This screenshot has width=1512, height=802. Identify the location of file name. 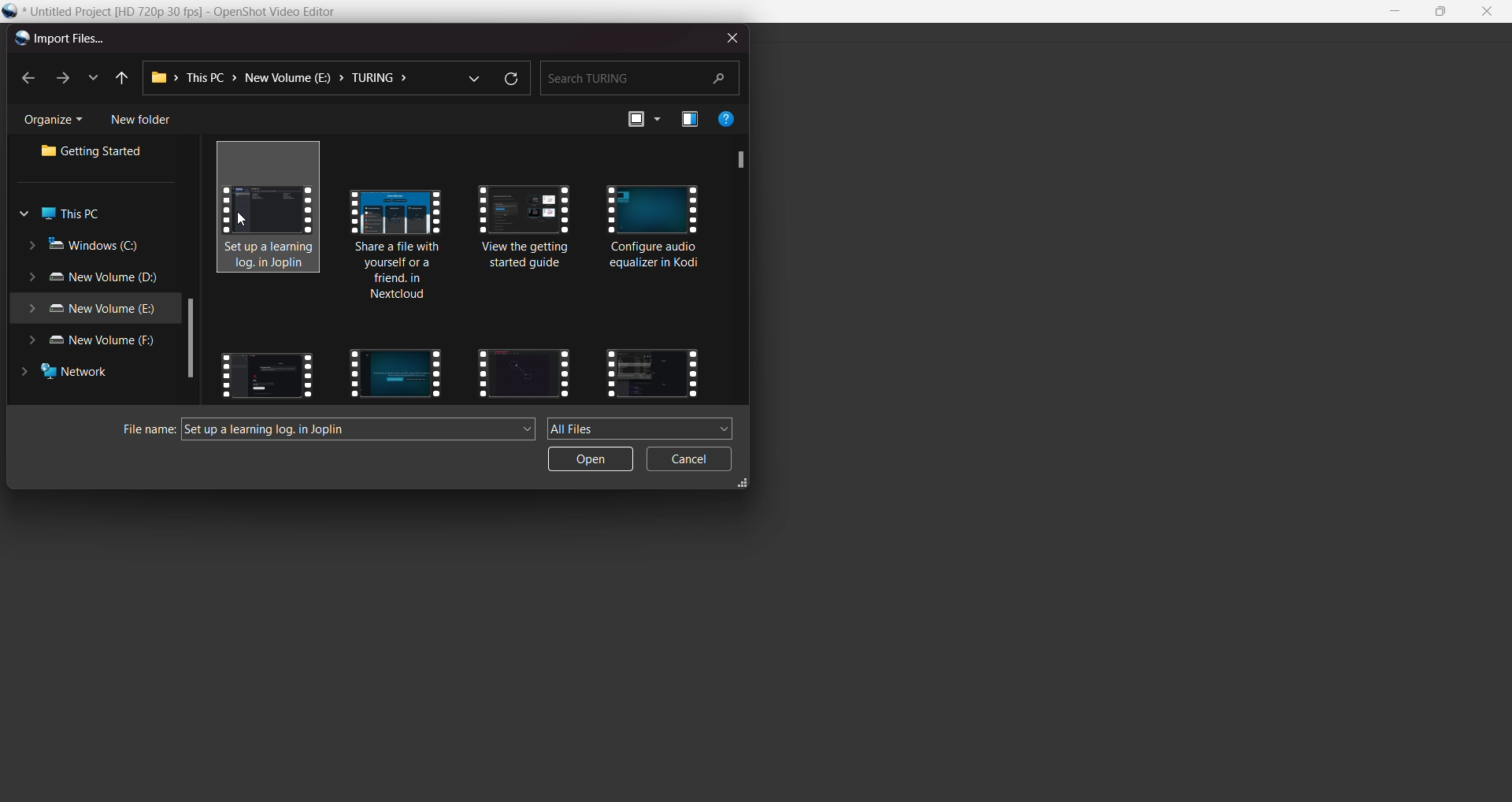
(191, 13).